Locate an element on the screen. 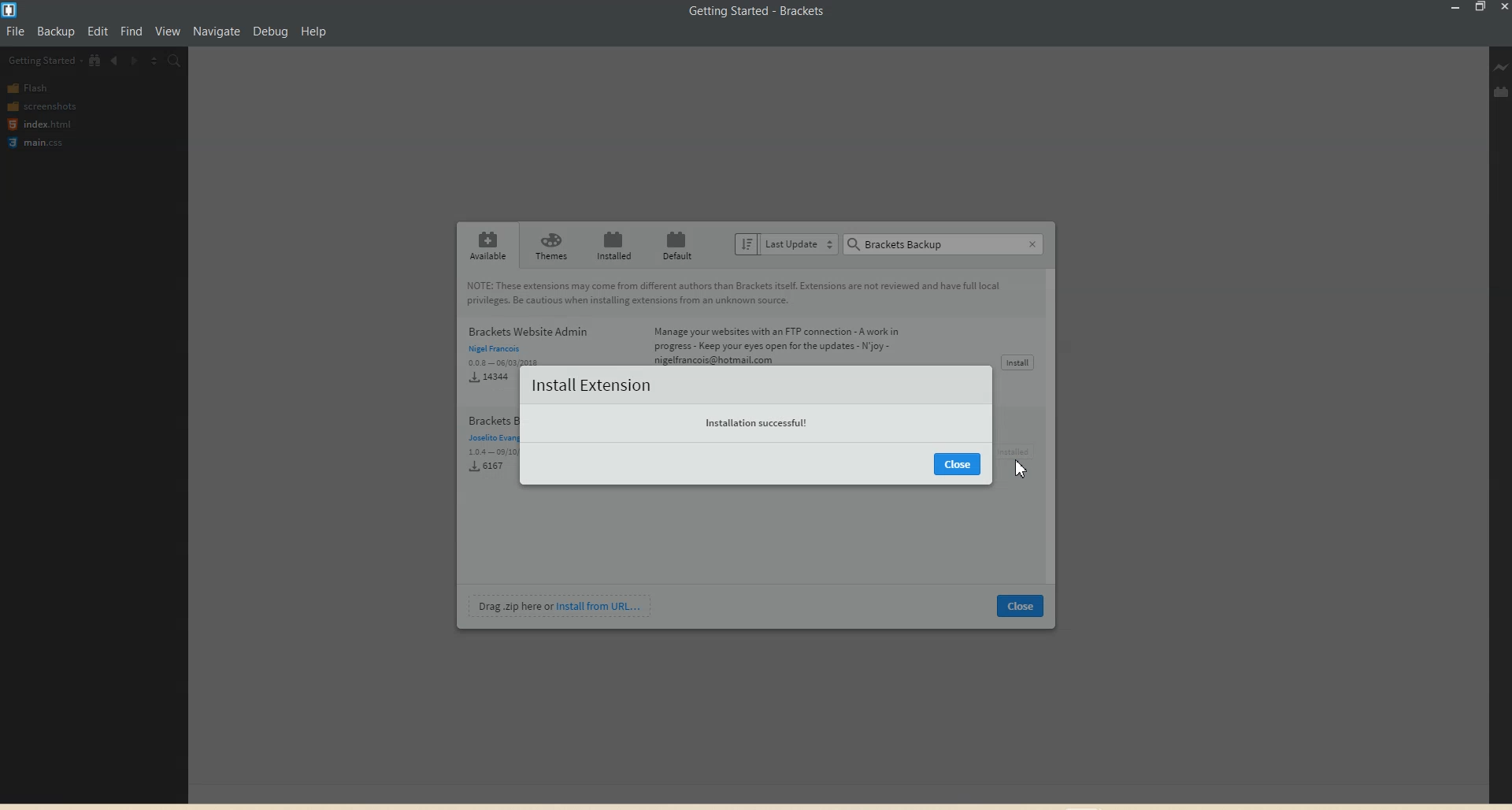  Navigate Forwards is located at coordinates (134, 60).